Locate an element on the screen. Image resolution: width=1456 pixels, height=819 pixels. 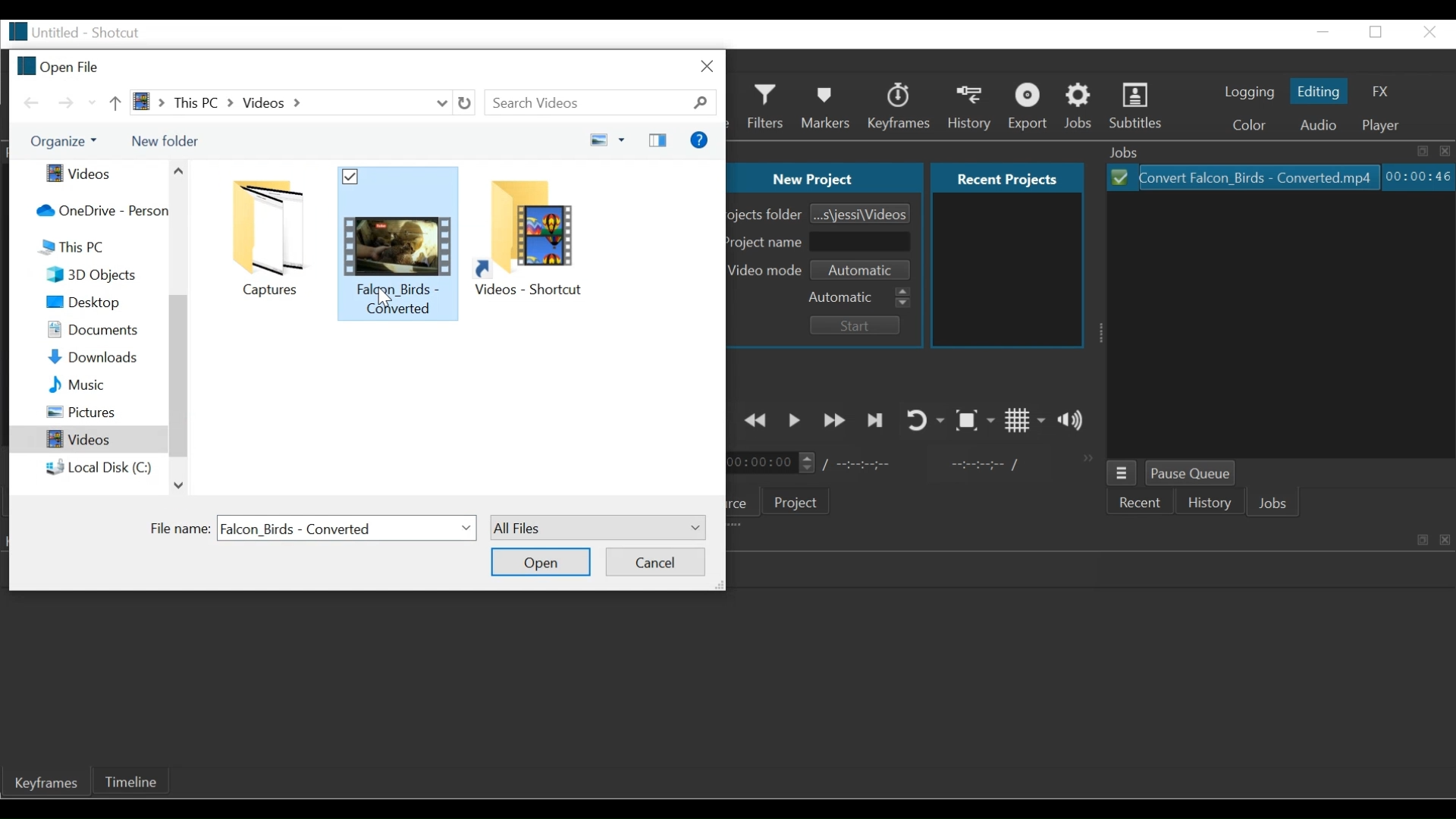
Show the previous pane is located at coordinates (657, 140).